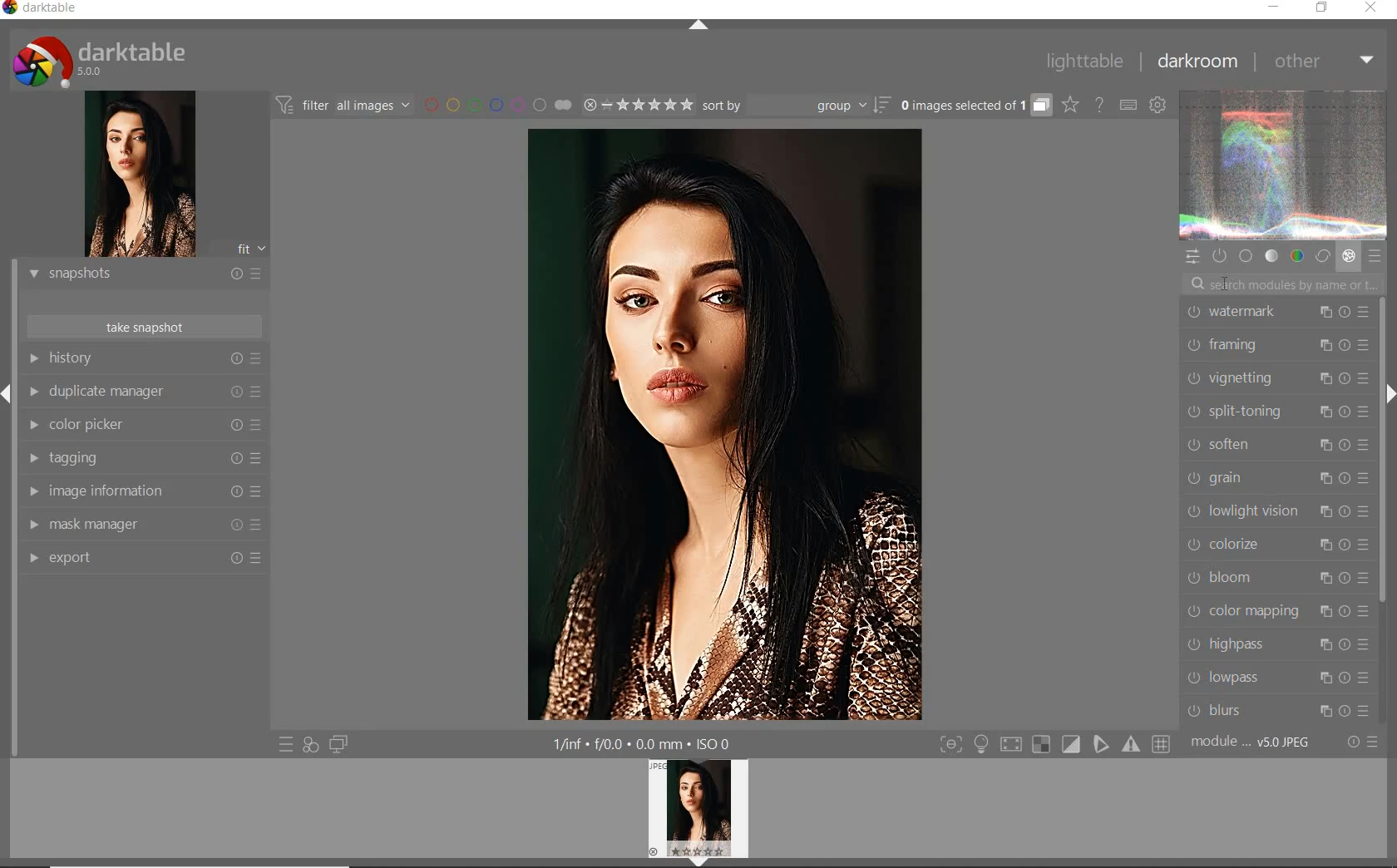 Image resolution: width=1397 pixels, height=868 pixels. What do you see at coordinates (1284, 284) in the screenshot?
I see `search modules by name` at bounding box center [1284, 284].